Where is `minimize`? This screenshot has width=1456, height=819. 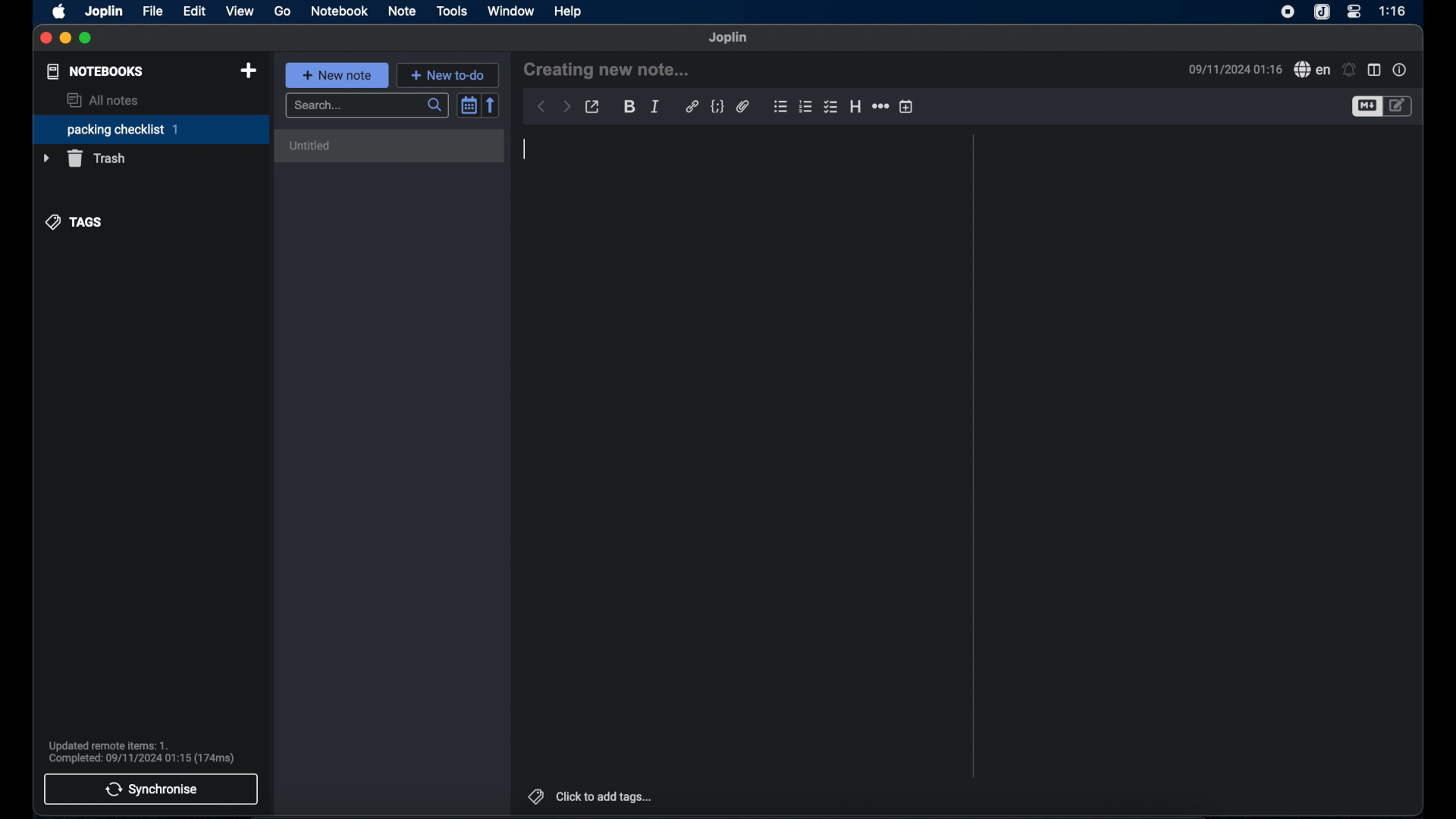
minimize is located at coordinates (65, 39).